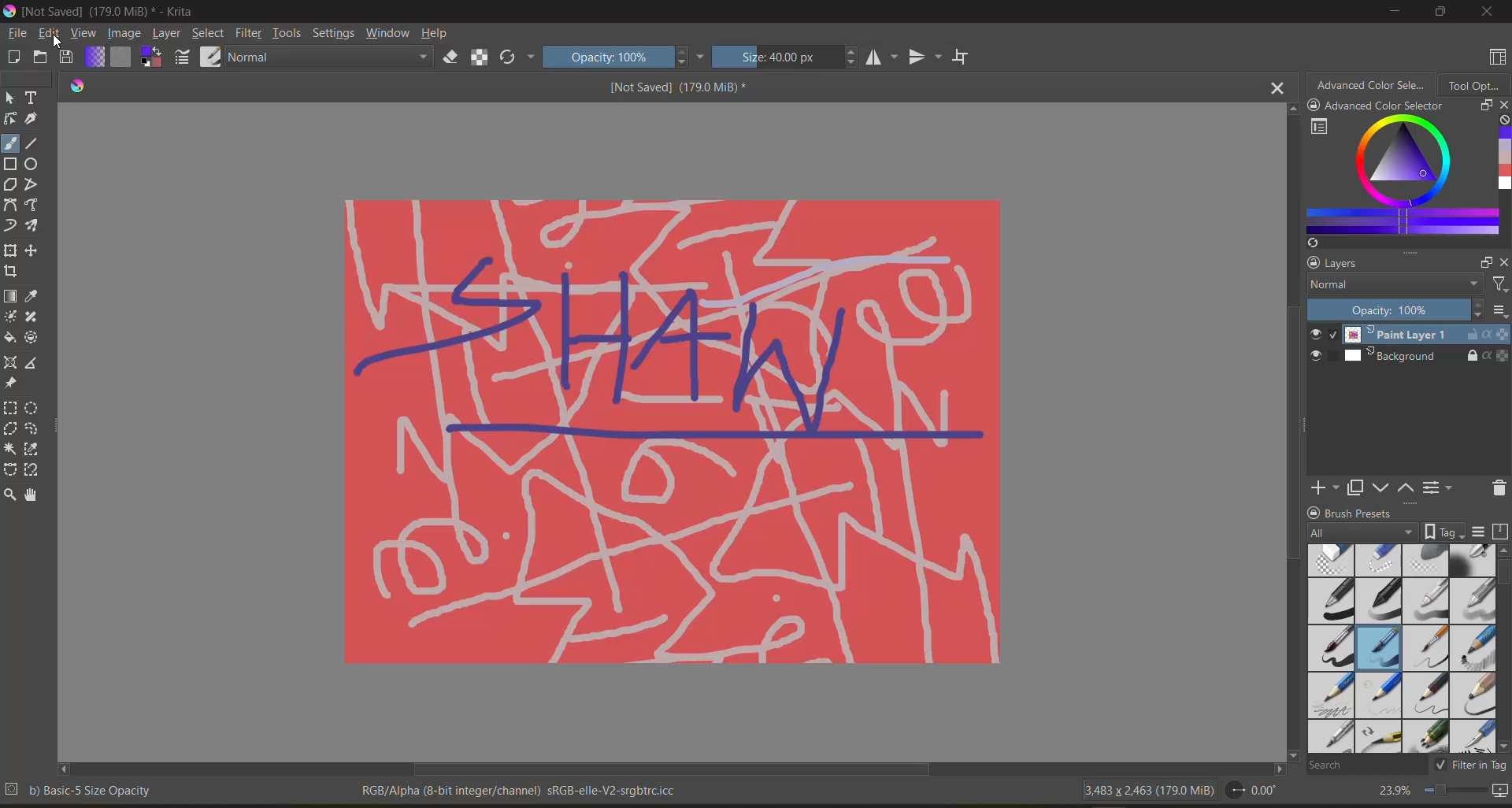  I want to click on dynamic brush tool, so click(11, 226).